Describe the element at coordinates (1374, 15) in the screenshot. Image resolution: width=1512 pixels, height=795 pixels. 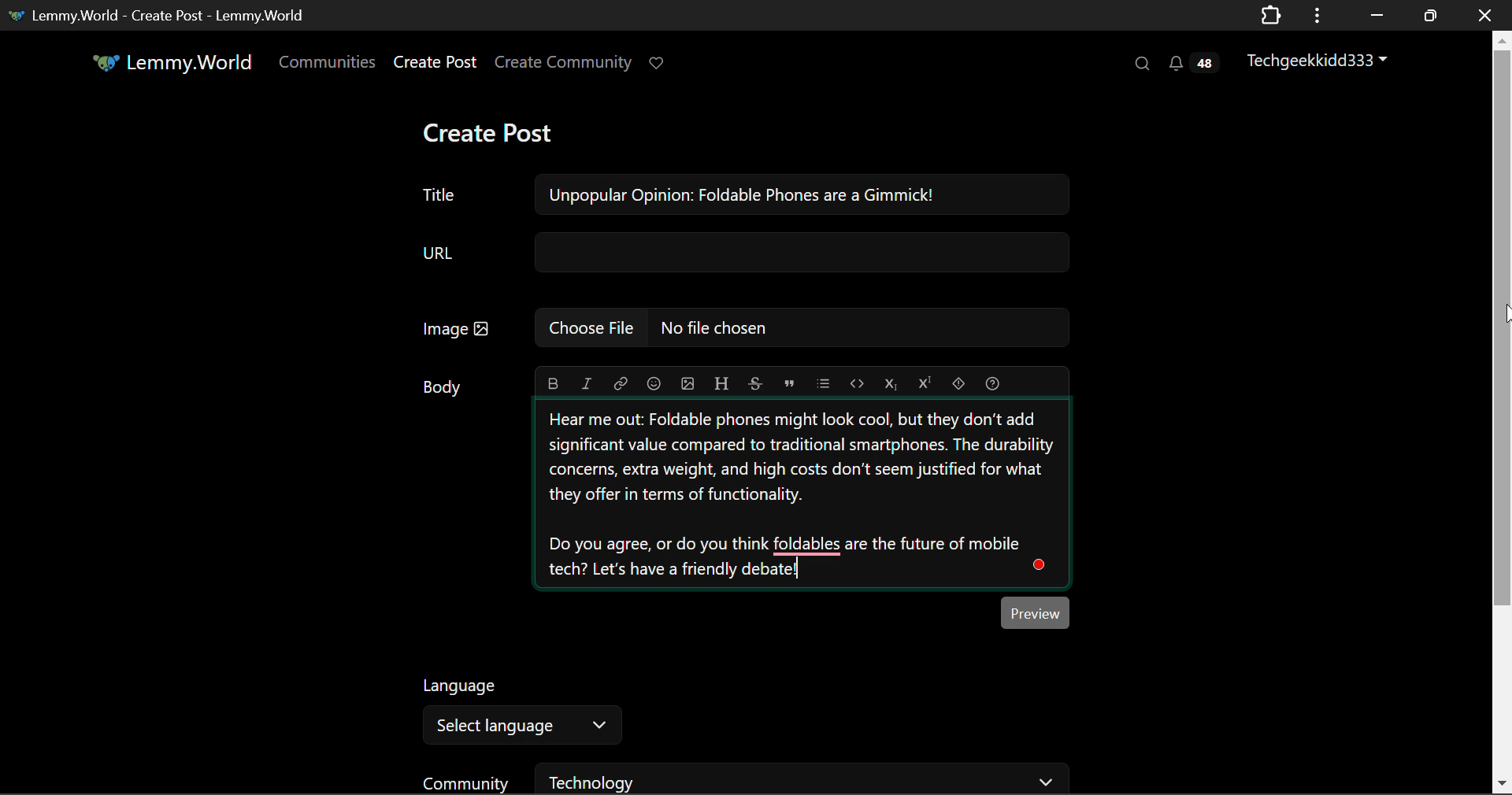
I see `Restore Down` at that location.